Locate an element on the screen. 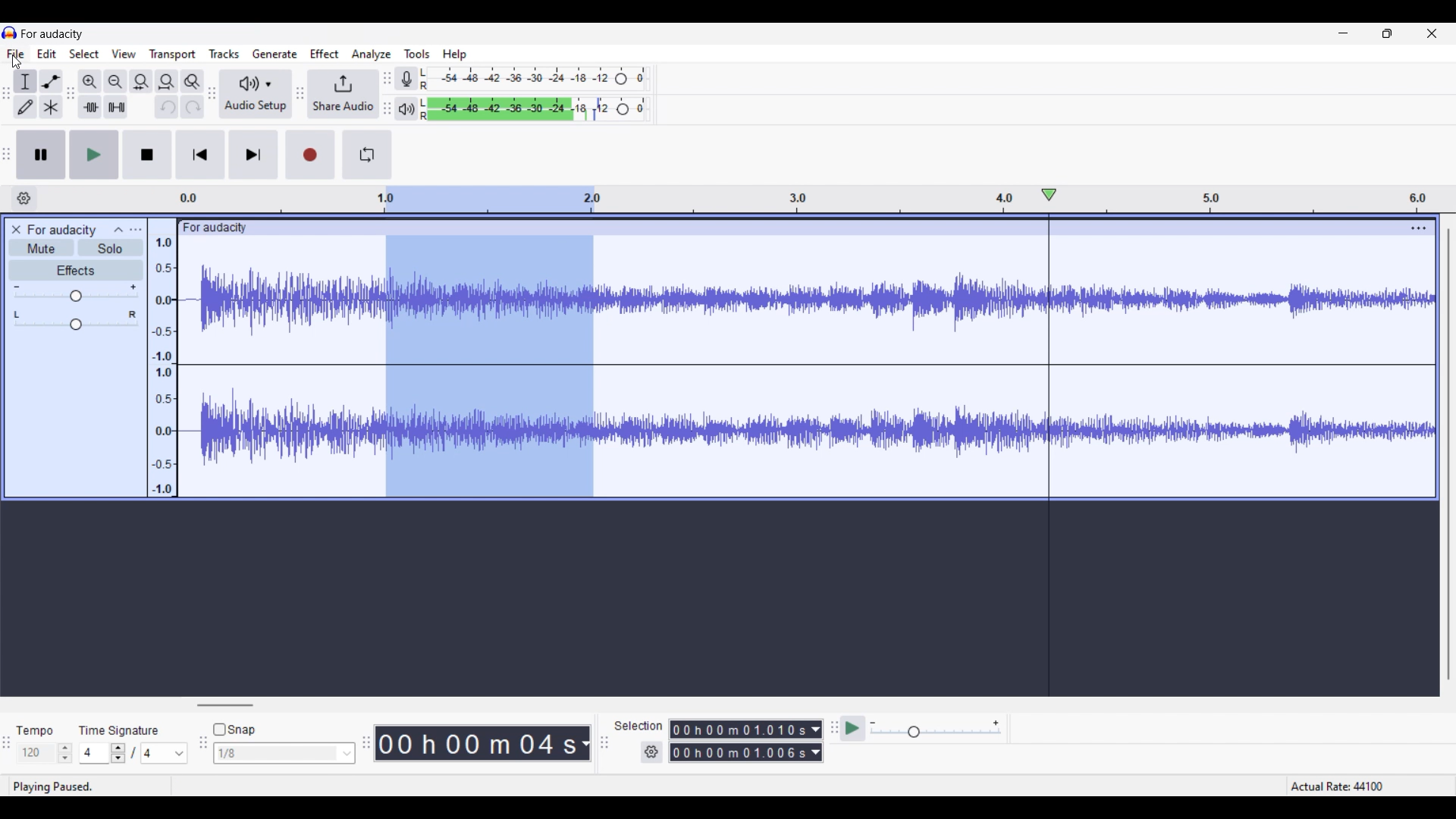 The image size is (1456, 819). Skip/Select to start is located at coordinates (200, 155).